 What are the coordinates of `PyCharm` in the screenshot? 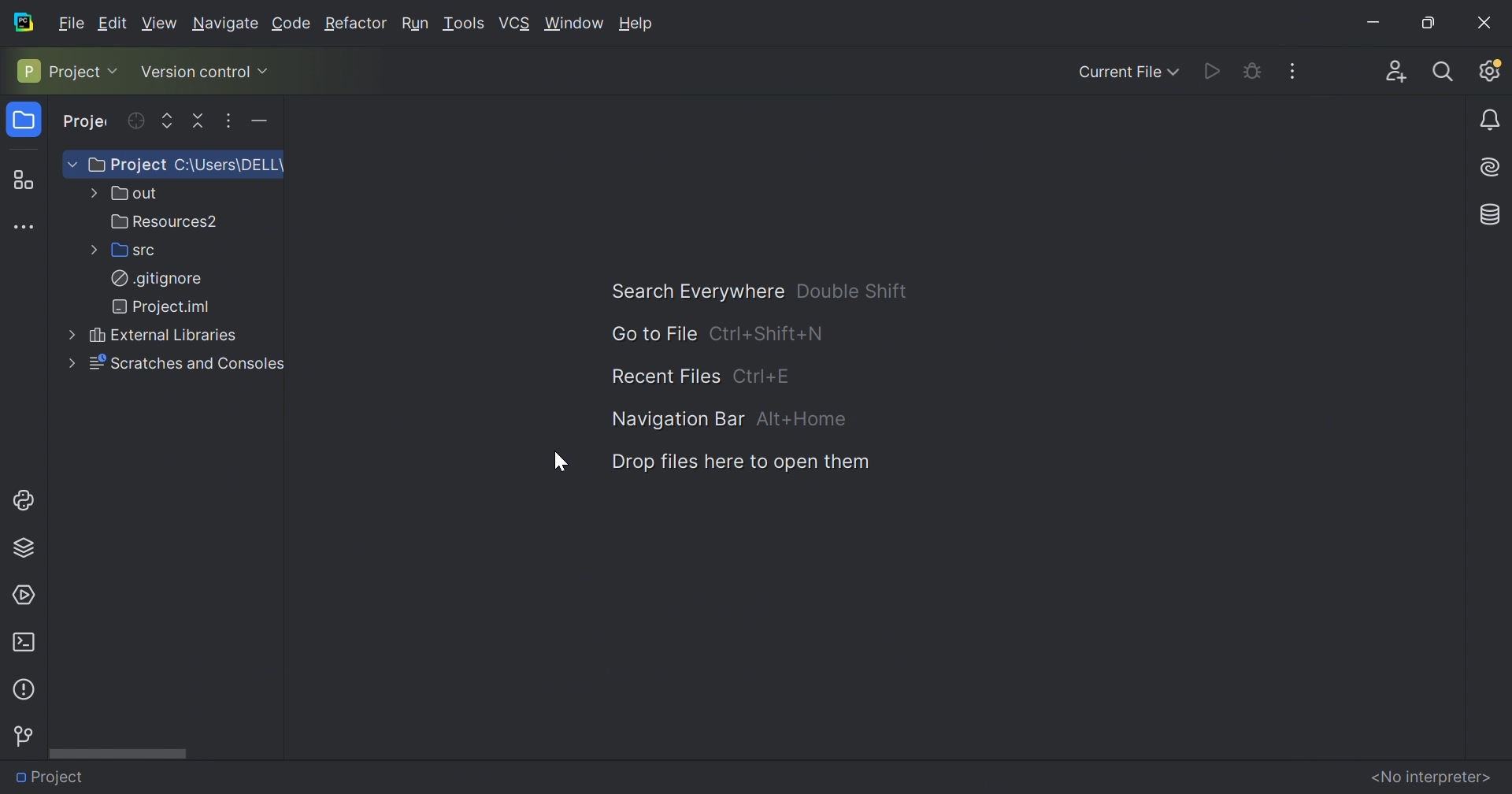 It's located at (24, 21).